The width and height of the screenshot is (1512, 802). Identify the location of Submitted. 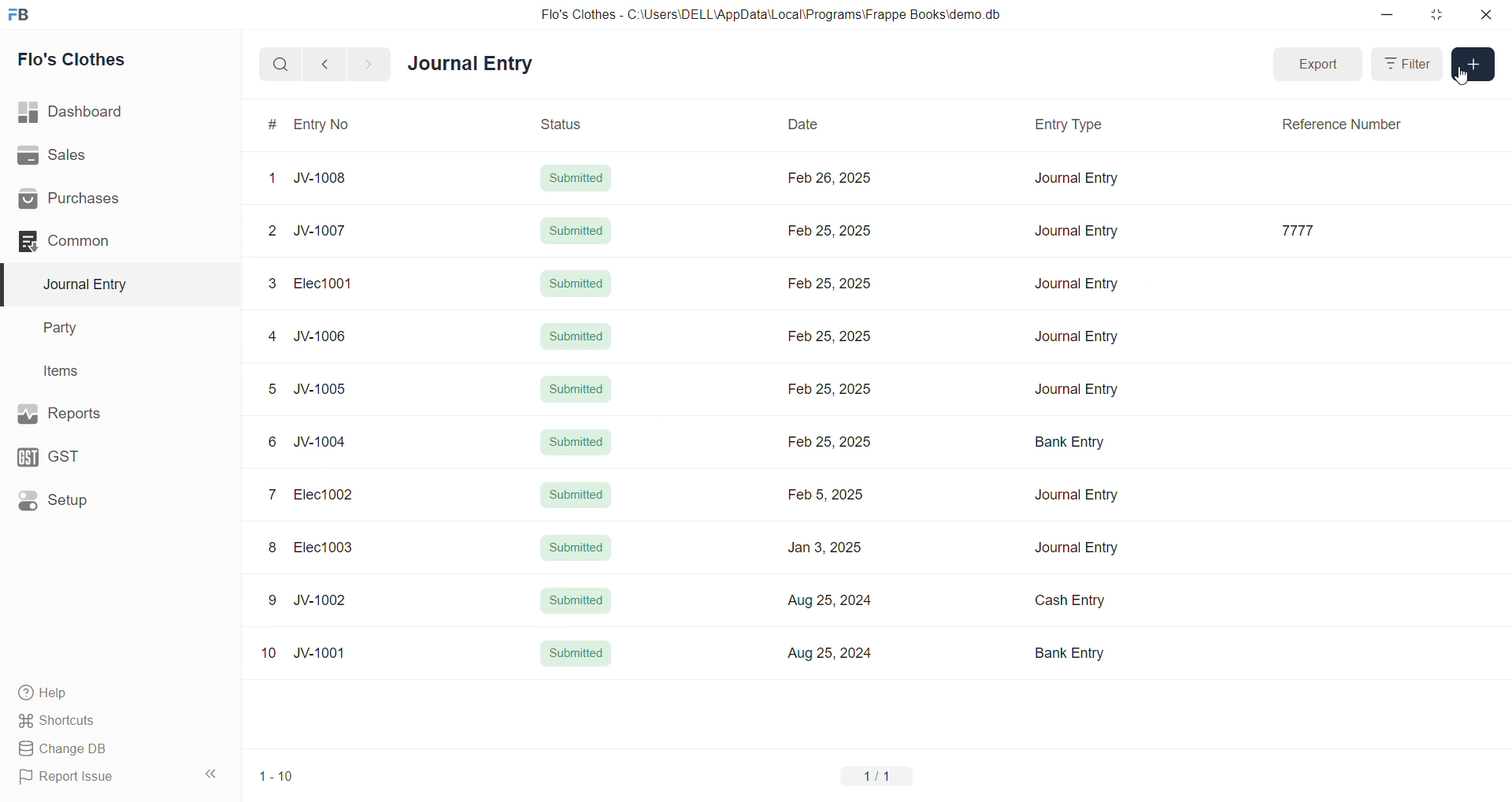
(573, 601).